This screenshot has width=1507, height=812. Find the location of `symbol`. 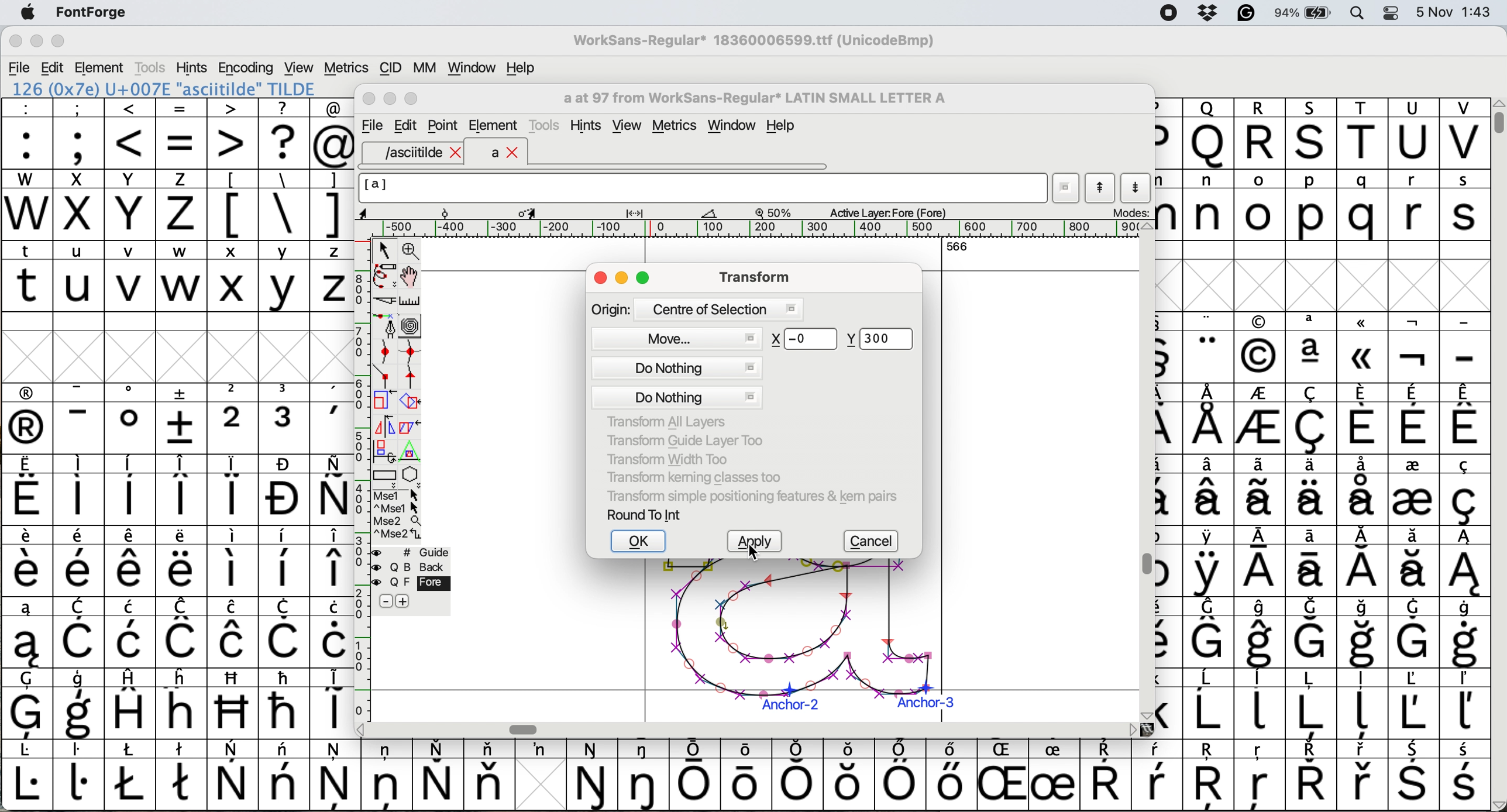

symbol is located at coordinates (28, 704).